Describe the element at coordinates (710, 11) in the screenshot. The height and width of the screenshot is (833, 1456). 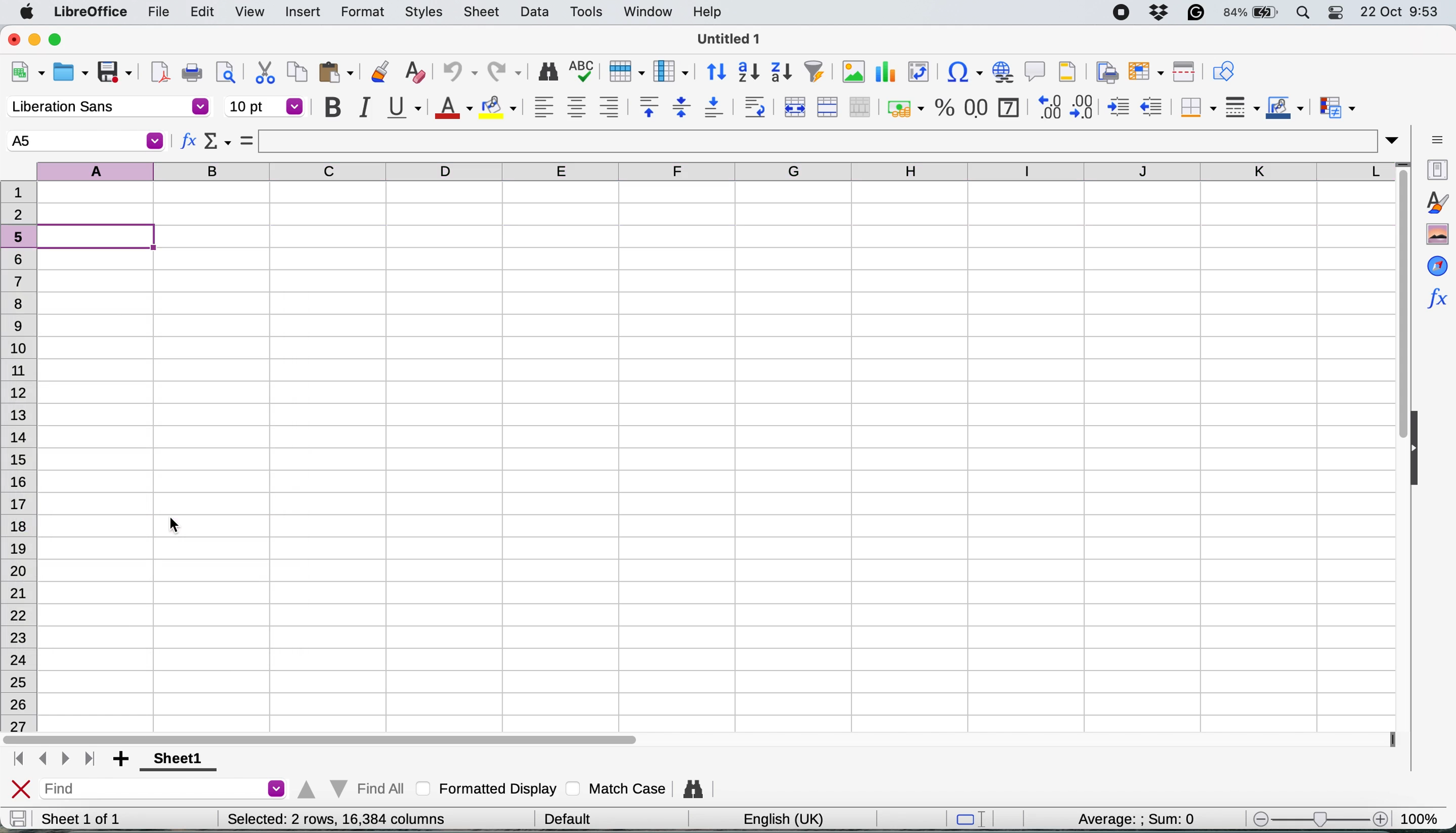
I see `help` at that location.